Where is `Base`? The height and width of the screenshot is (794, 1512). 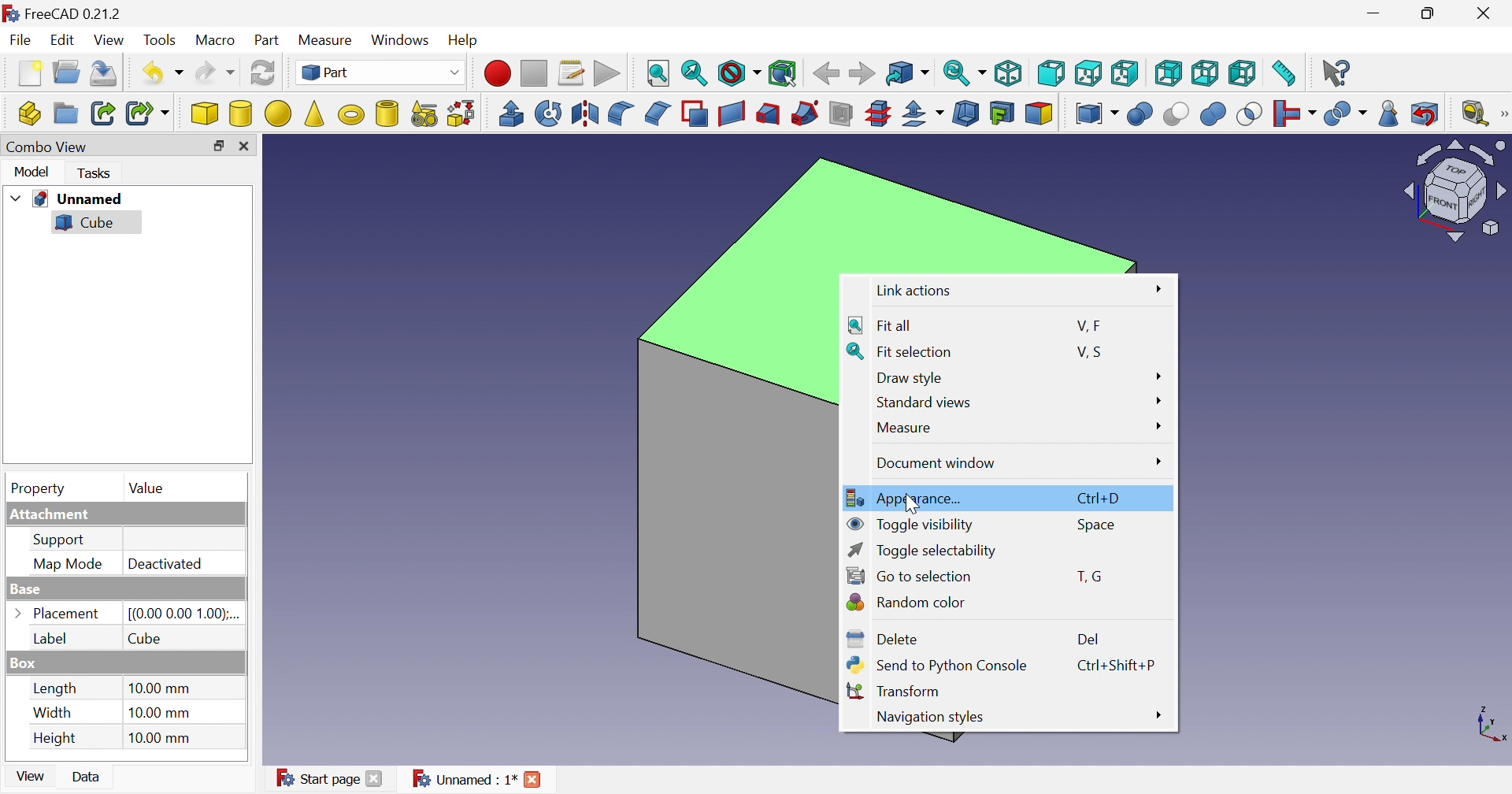
Base is located at coordinates (24, 587).